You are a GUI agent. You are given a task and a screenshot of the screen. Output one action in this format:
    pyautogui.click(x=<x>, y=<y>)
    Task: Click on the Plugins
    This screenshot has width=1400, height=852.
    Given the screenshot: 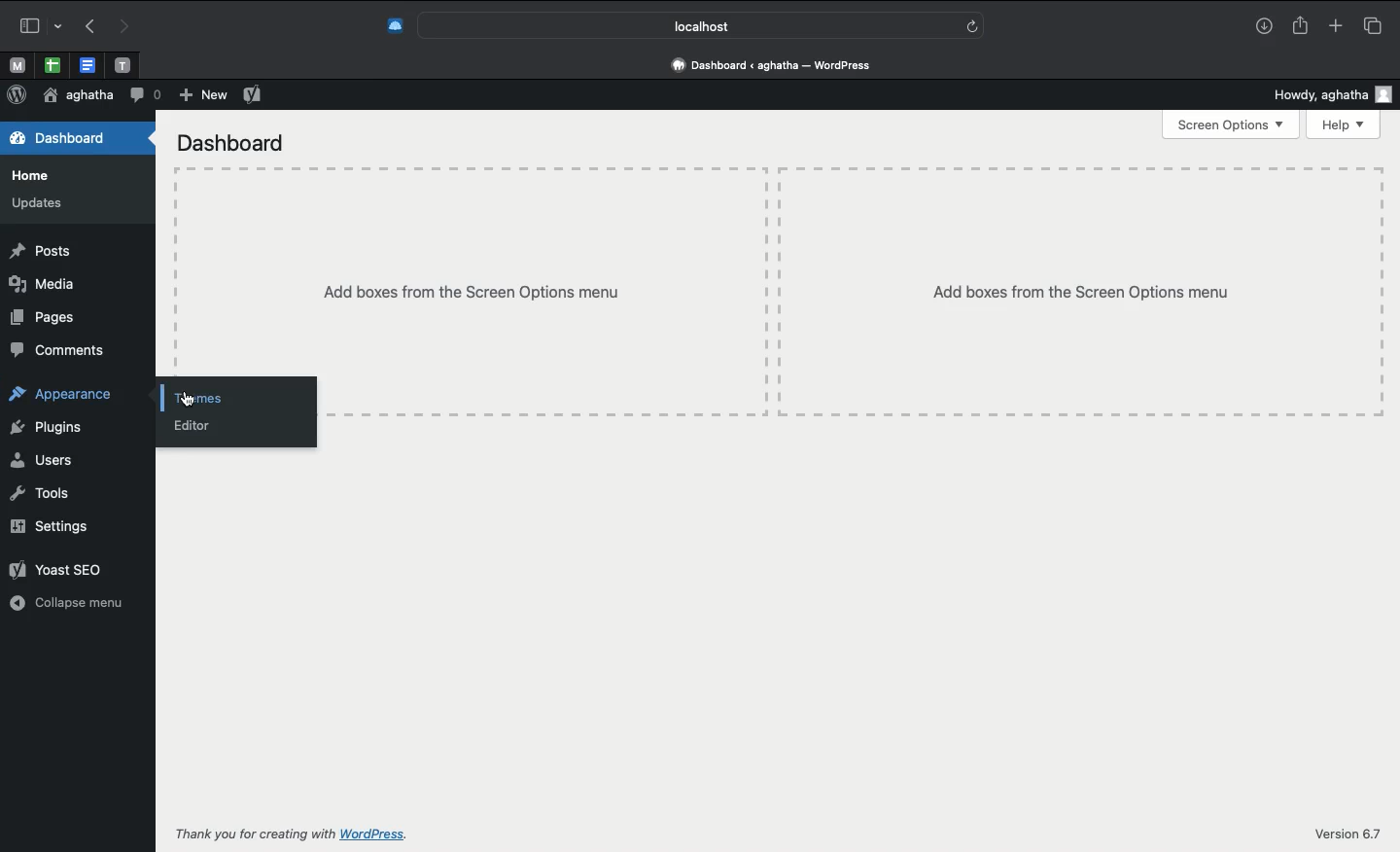 What is the action you would take?
    pyautogui.click(x=45, y=431)
    